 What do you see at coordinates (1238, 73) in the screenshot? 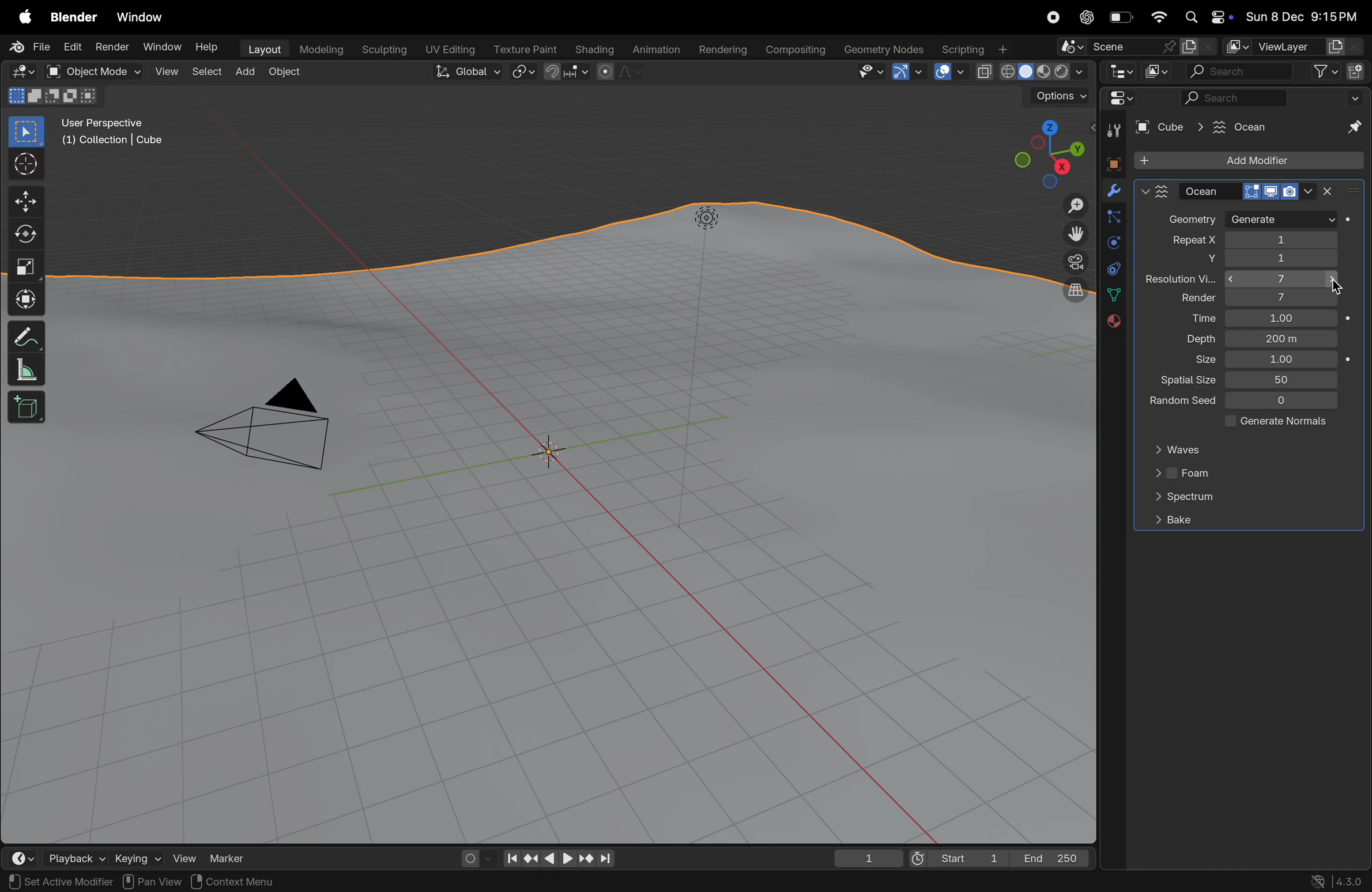
I see `search bar` at bounding box center [1238, 73].